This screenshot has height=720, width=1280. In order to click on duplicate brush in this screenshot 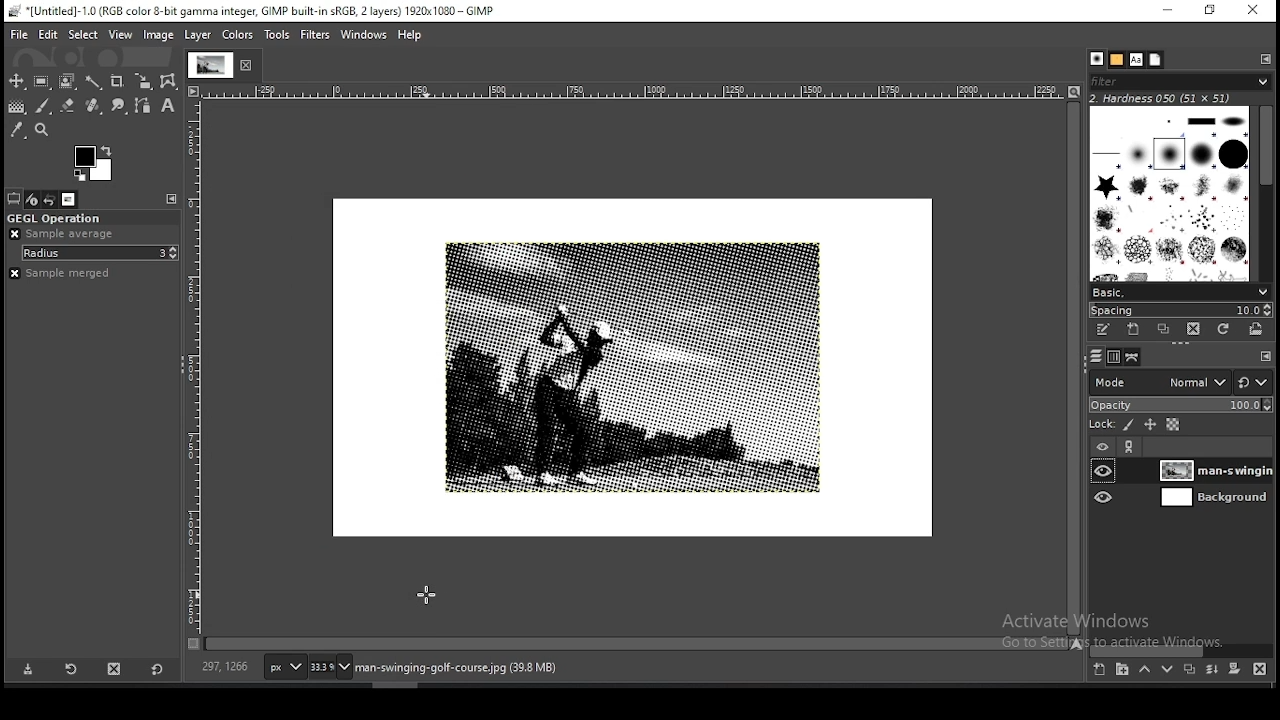, I will do `click(1162, 330)`.